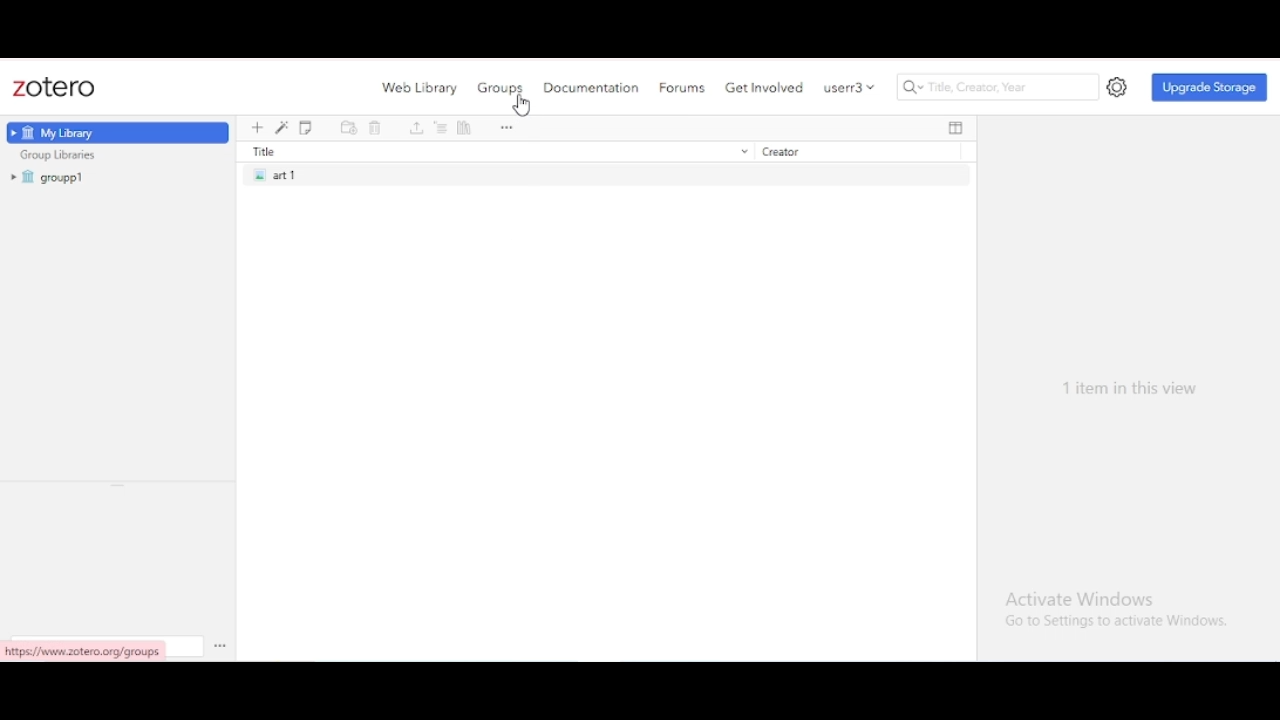 This screenshot has height=720, width=1280. Describe the element at coordinates (606, 175) in the screenshot. I see `art 1` at that location.